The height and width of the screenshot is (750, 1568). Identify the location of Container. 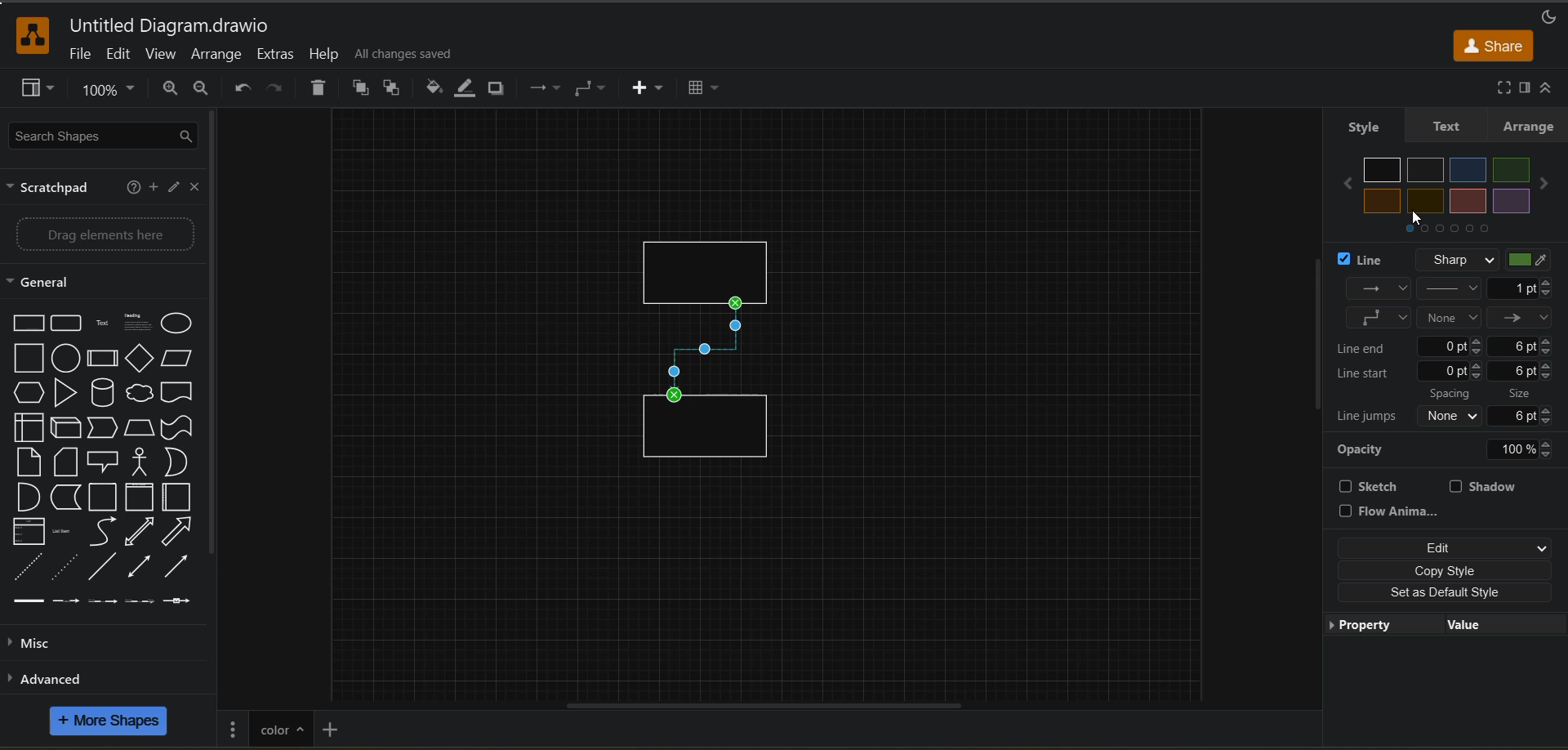
(105, 498).